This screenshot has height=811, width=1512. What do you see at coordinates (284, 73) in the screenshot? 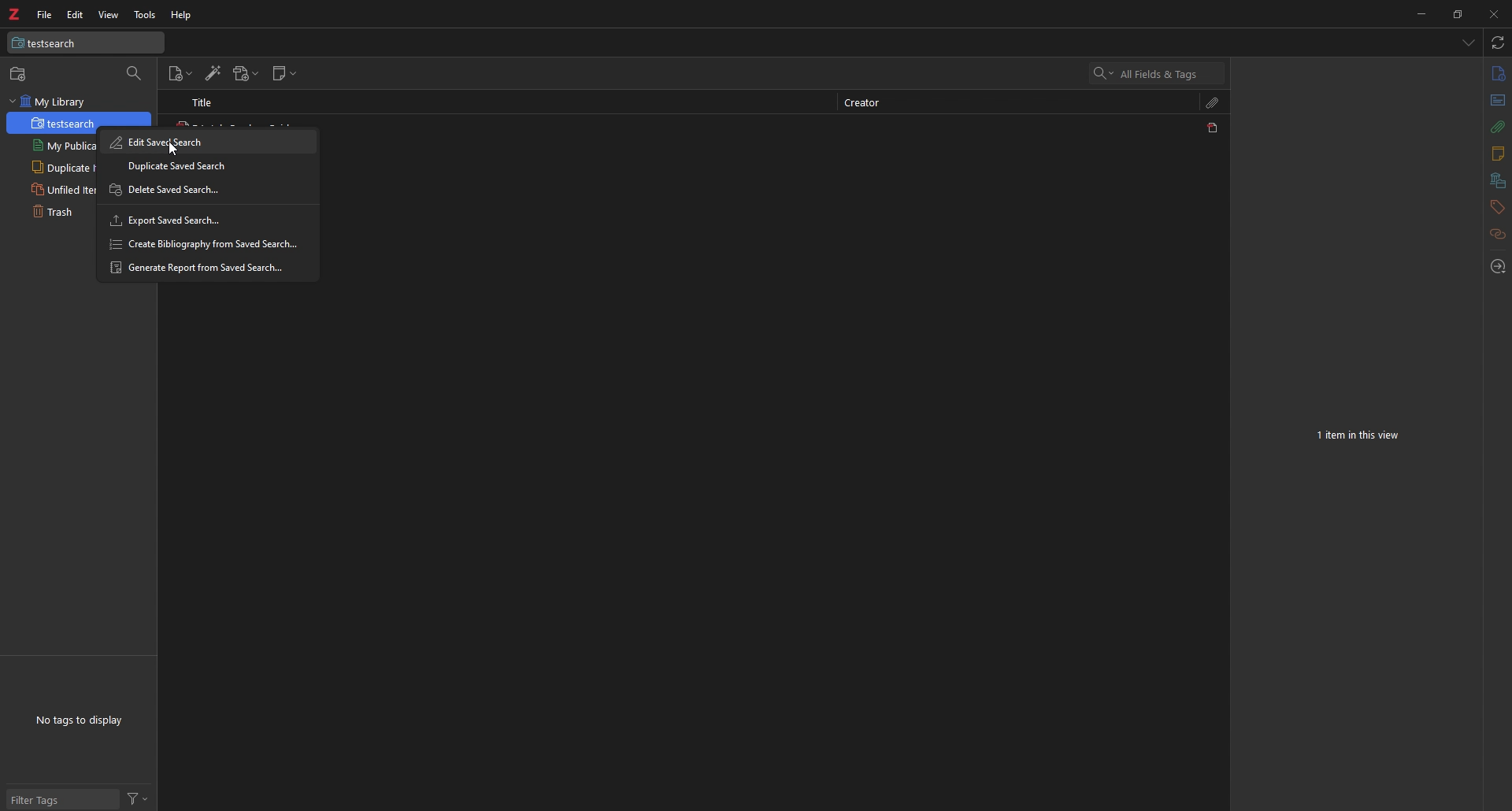
I see `new note` at bounding box center [284, 73].